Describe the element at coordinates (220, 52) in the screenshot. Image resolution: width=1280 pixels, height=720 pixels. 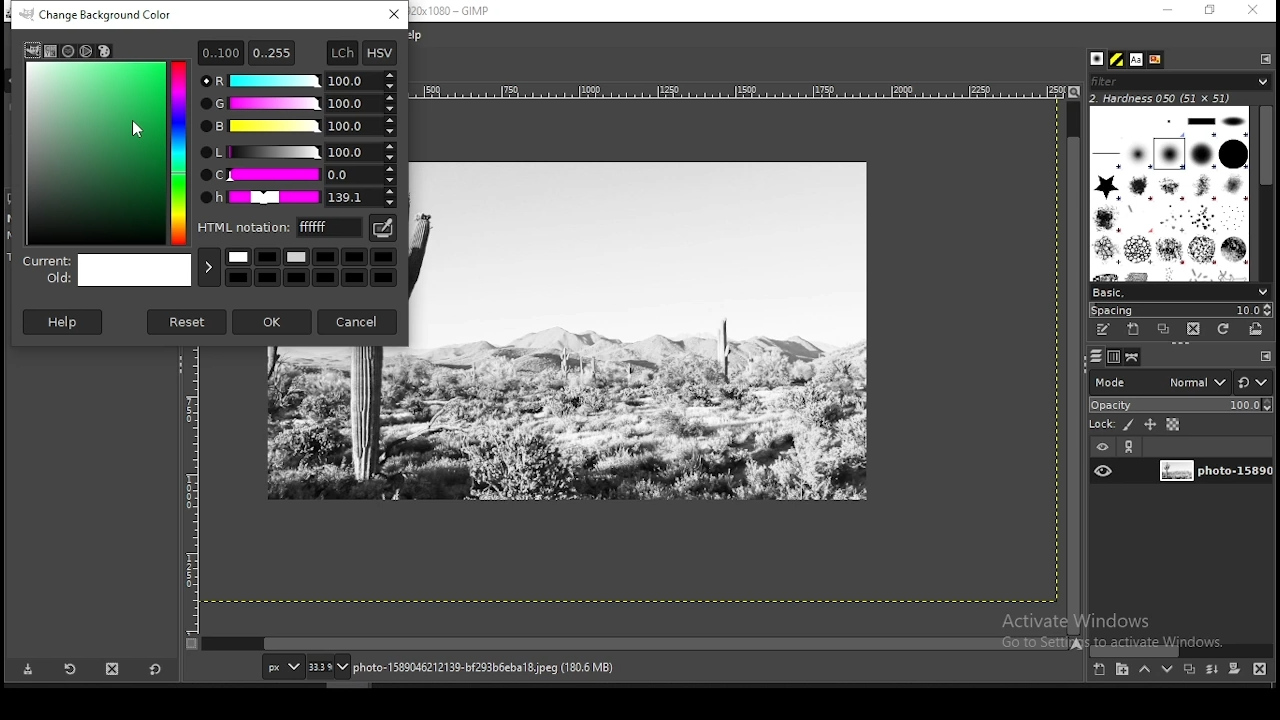
I see `0..100` at that location.